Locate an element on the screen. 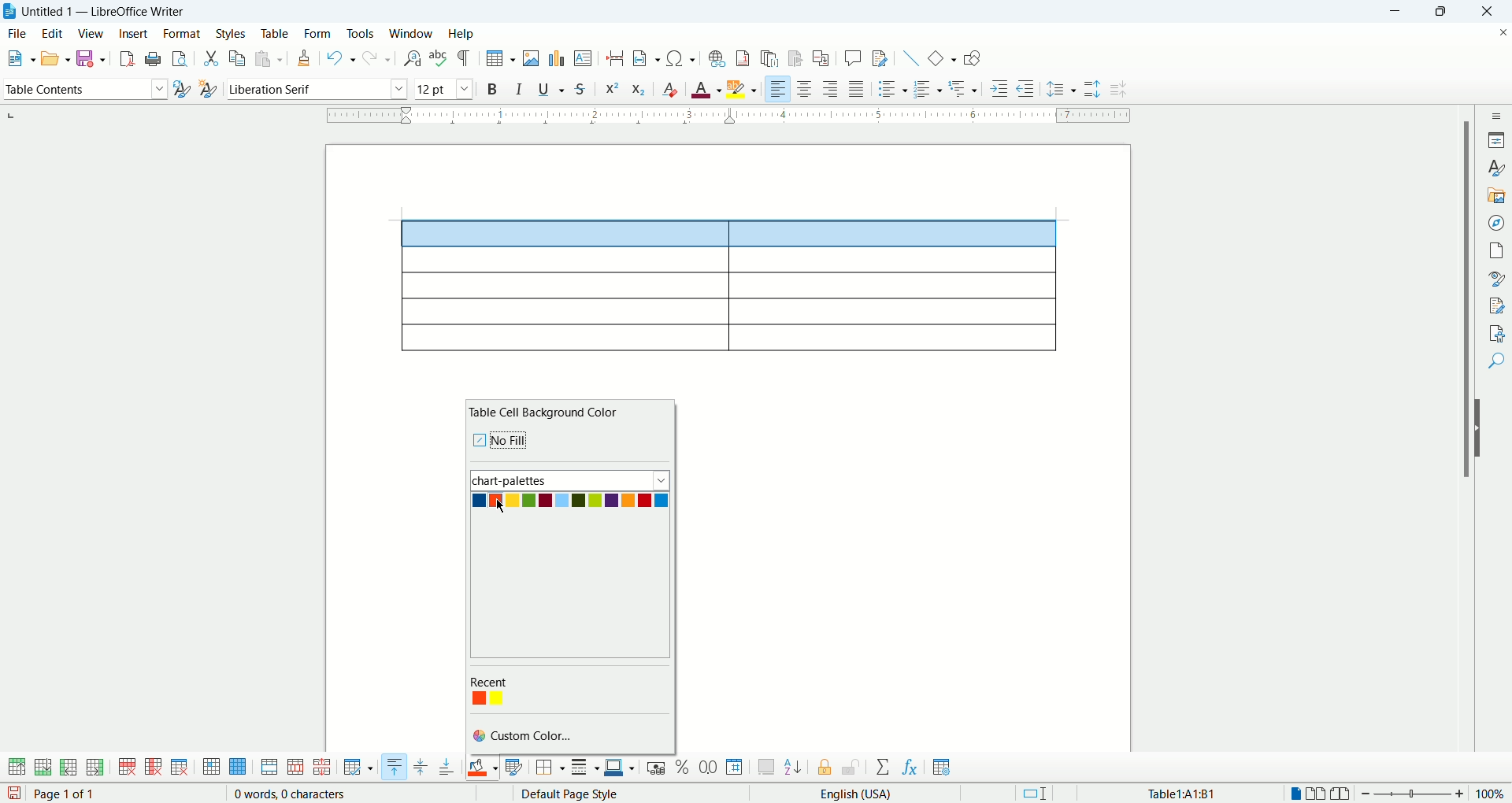 This screenshot has height=803, width=1512. selected style is located at coordinates (182, 91).